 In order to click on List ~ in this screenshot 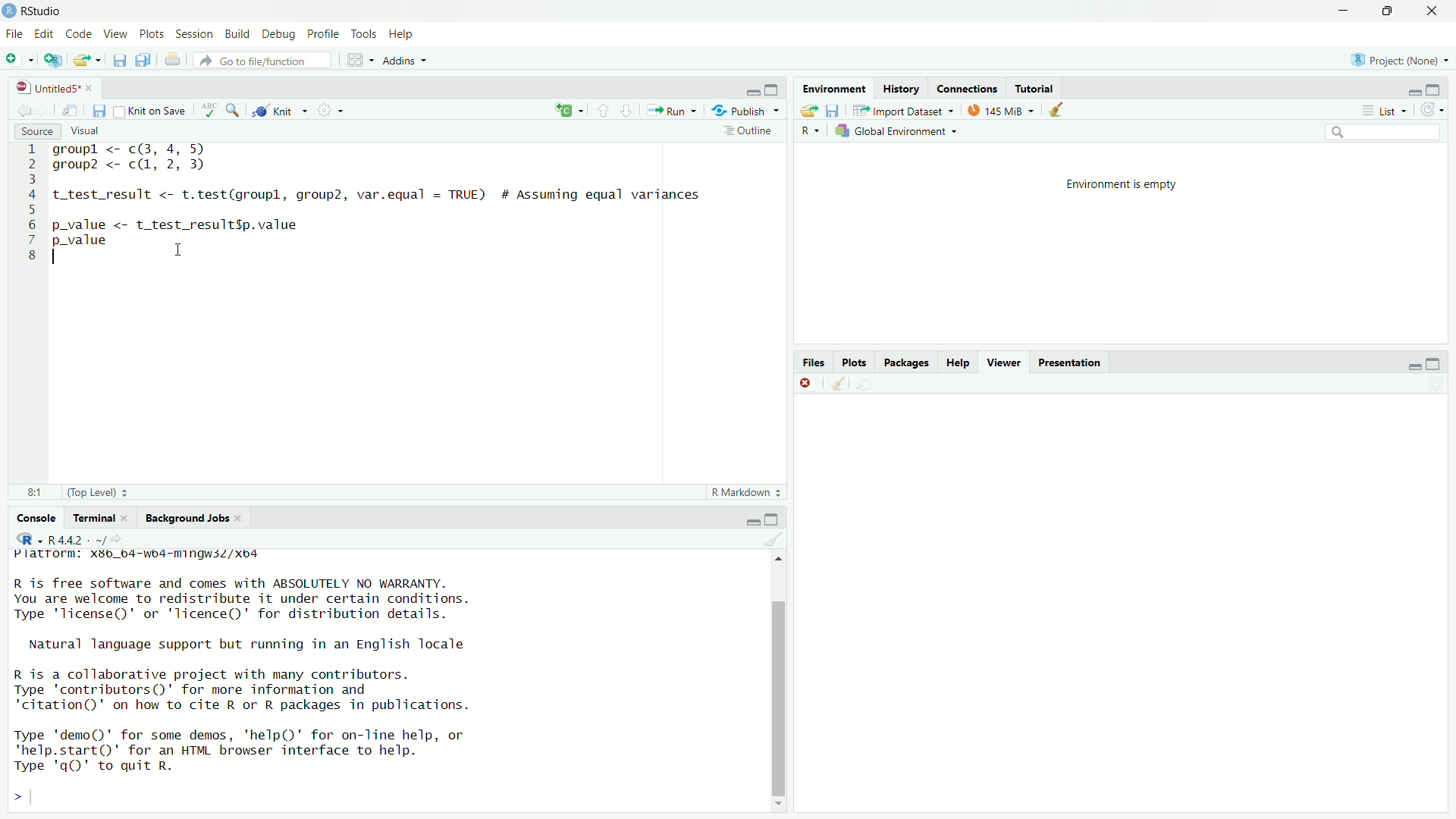, I will do `click(1381, 109)`.